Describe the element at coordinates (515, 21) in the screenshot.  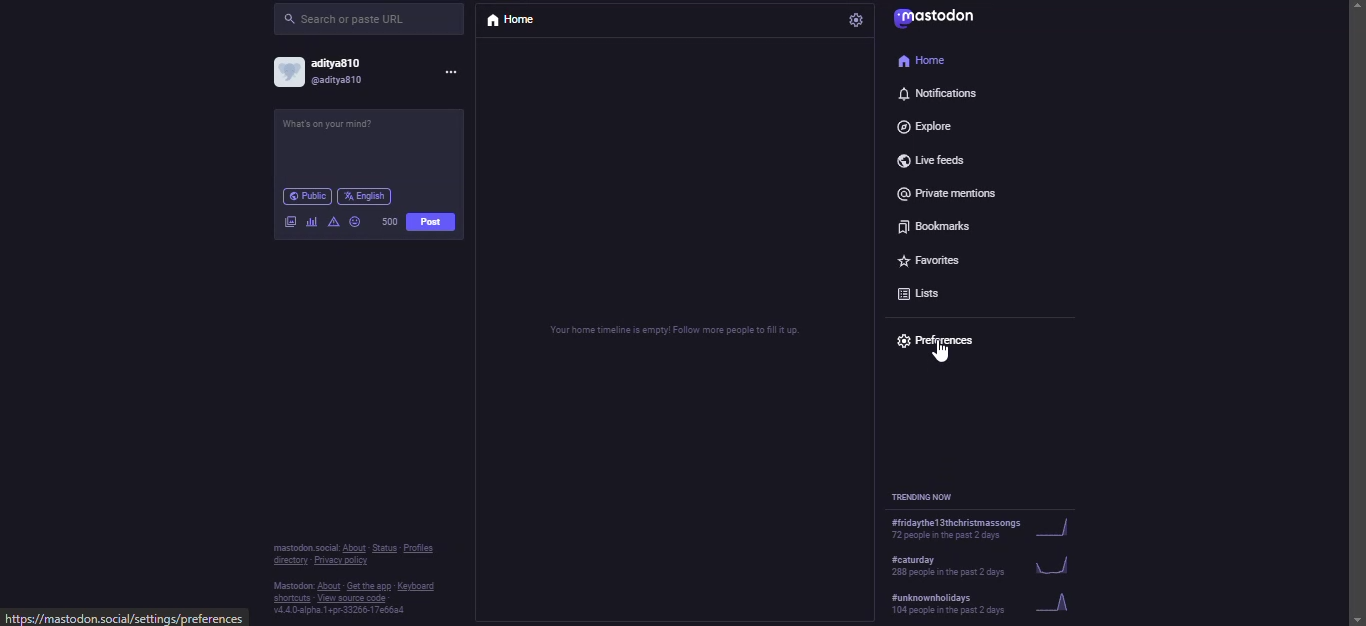
I see `home` at that location.